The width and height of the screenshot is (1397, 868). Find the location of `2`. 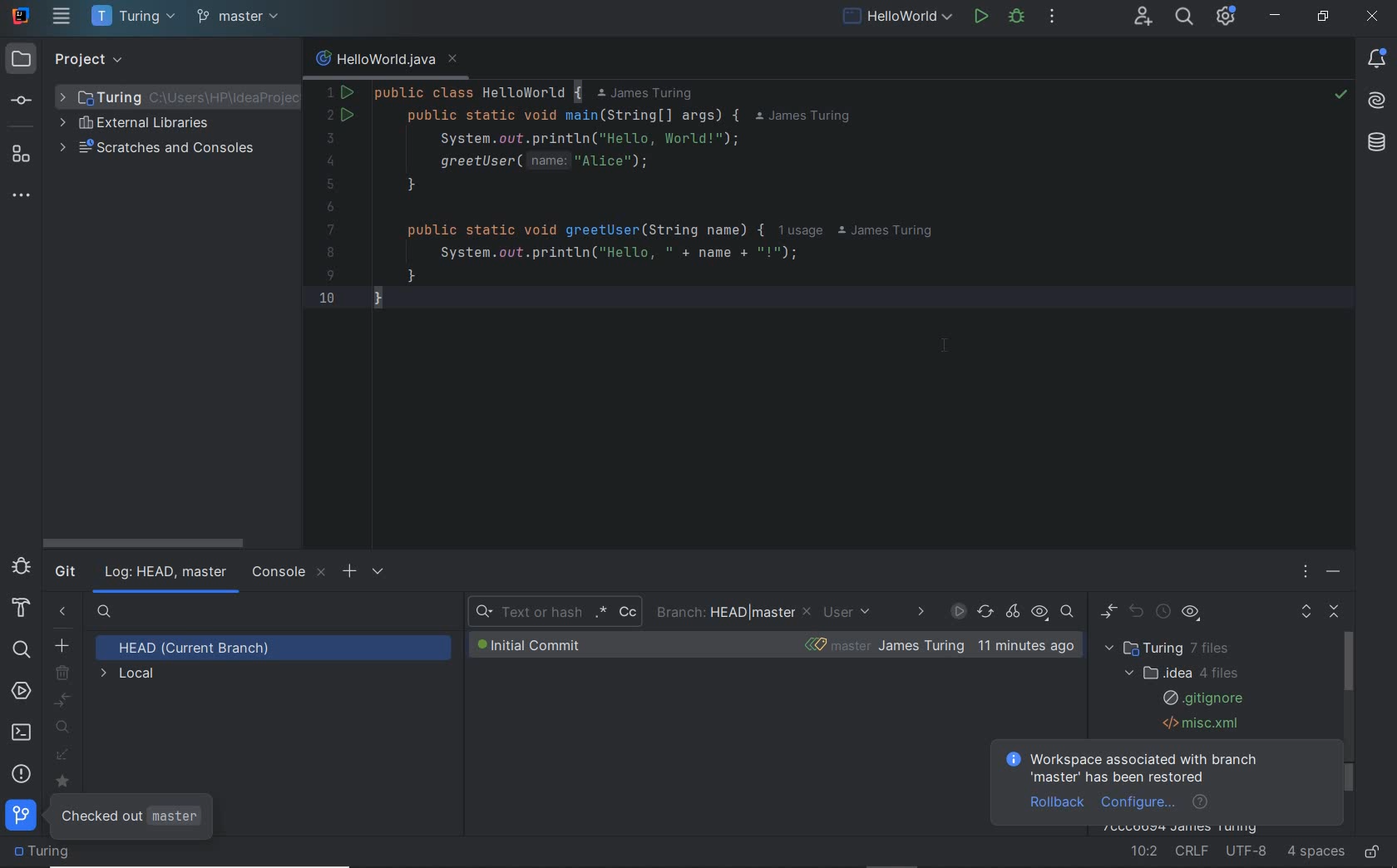

2 is located at coordinates (331, 116).